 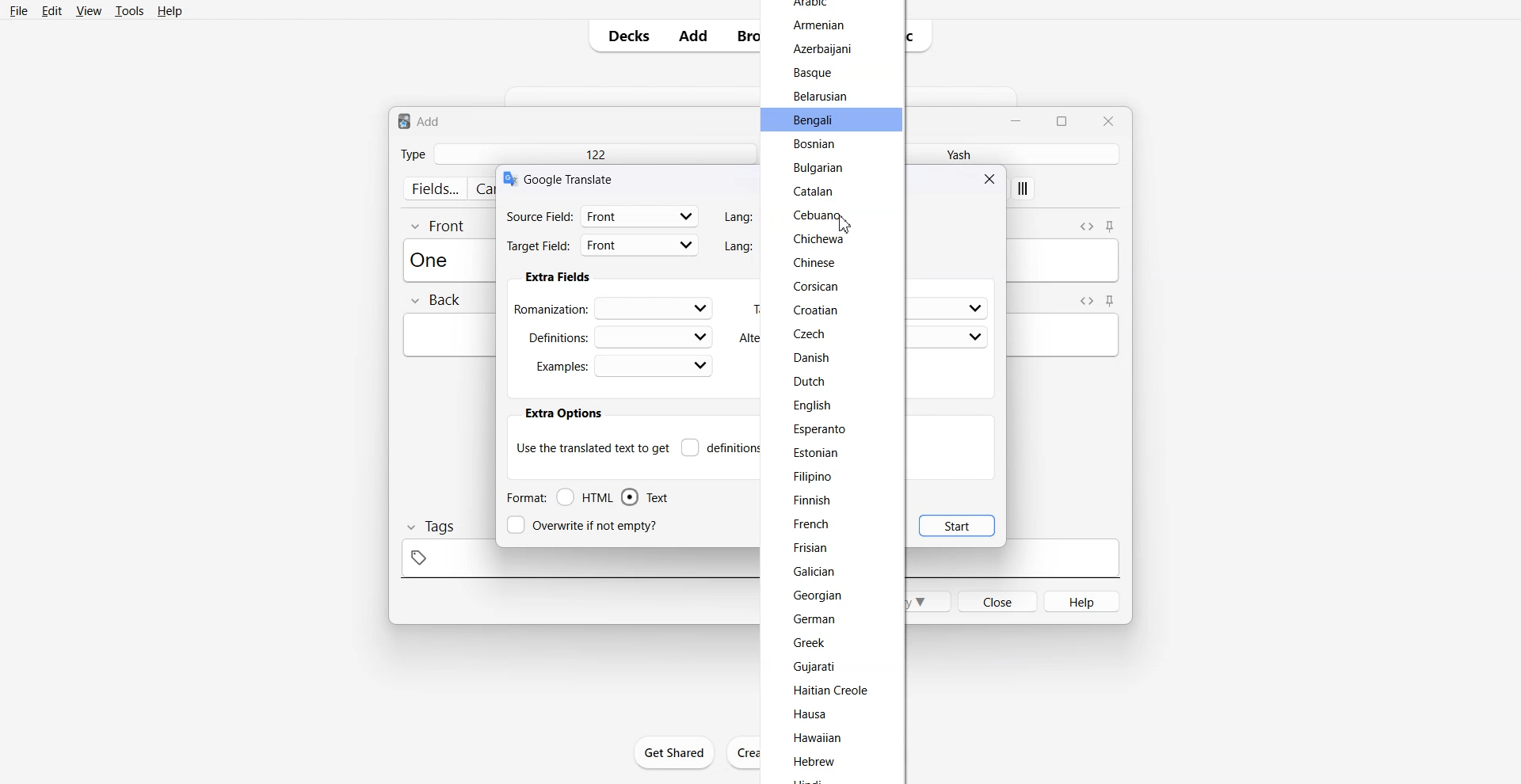 What do you see at coordinates (1084, 300) in the screenshot?
I see `Toggle HTML Editor` at bounding box center [1084, 300].